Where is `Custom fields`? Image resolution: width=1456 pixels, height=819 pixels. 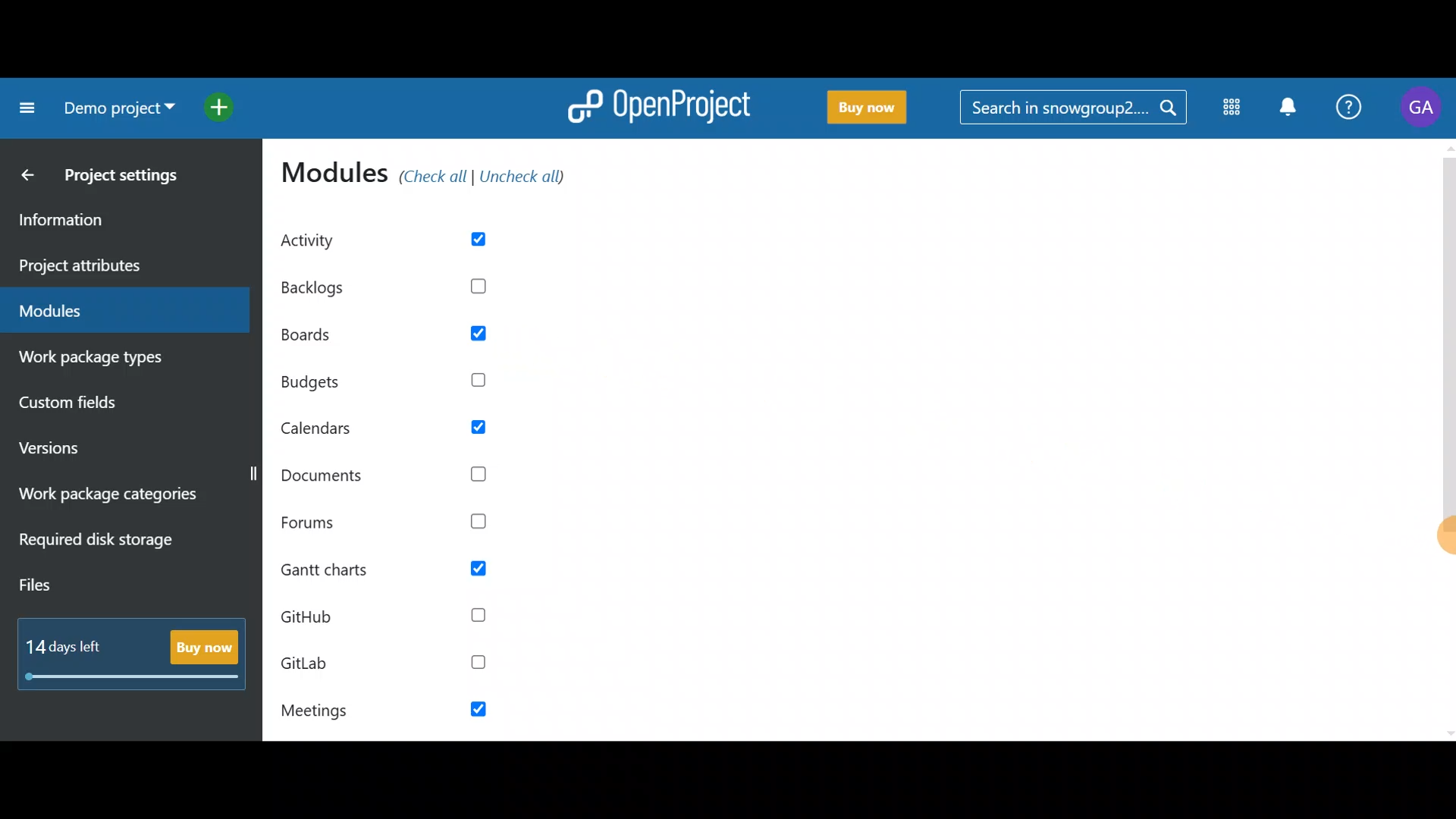 Custom fields is located at coordinates (102, 407).